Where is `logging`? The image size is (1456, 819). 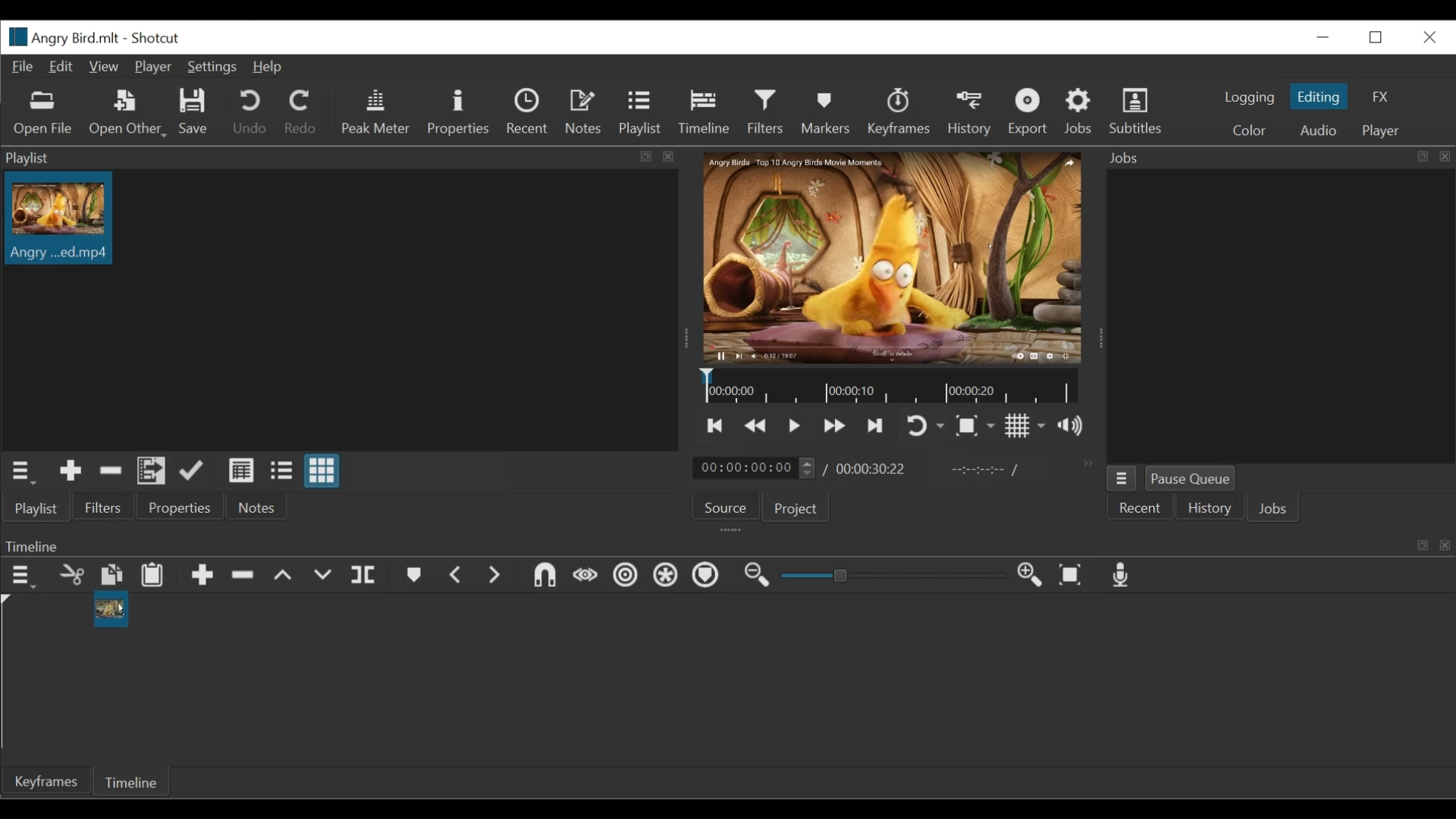
logging is located at coordinates (1248, 99).